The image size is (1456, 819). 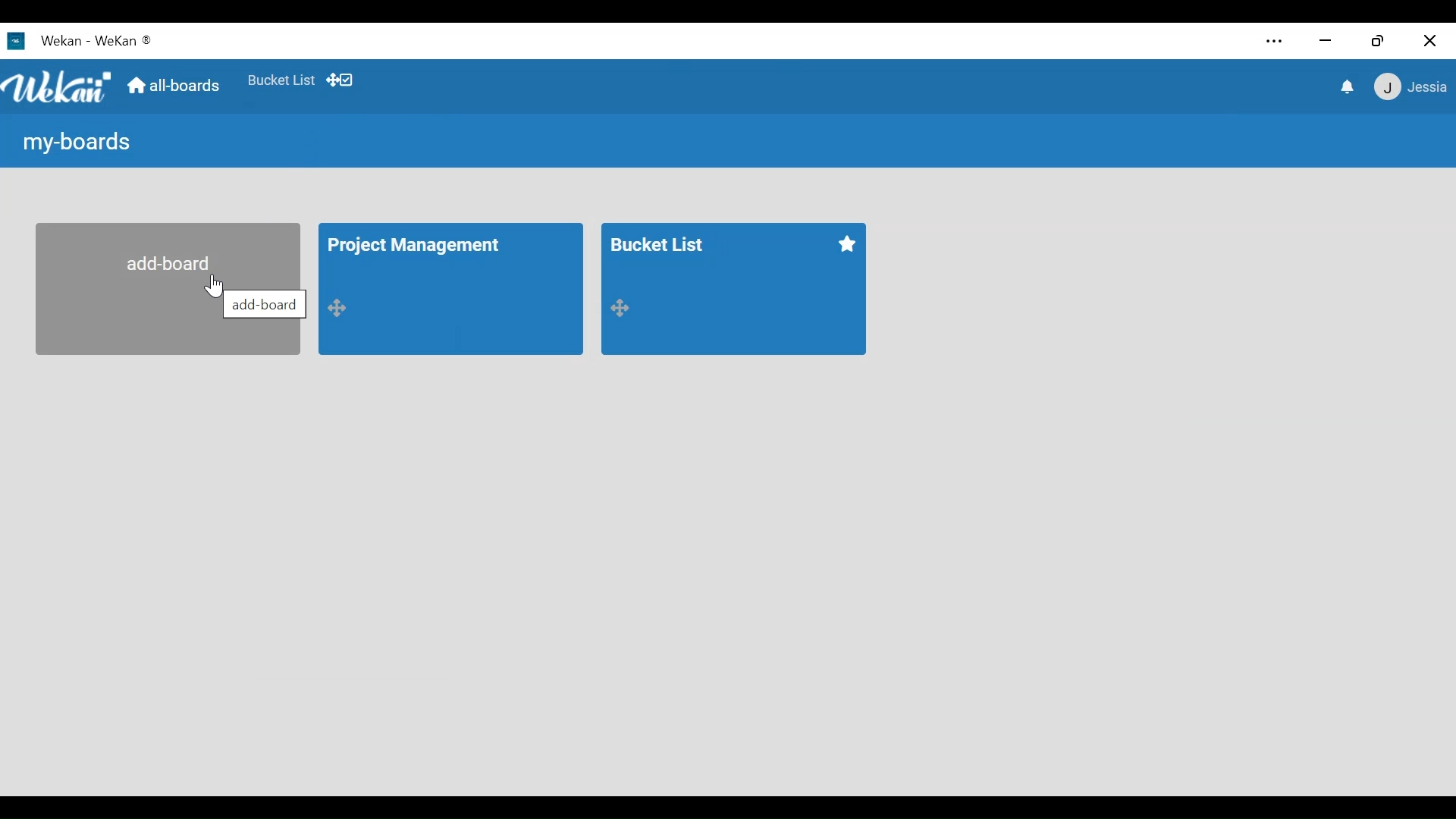 I want to click on Shortcut to favorites, so click(x=281, y=79).